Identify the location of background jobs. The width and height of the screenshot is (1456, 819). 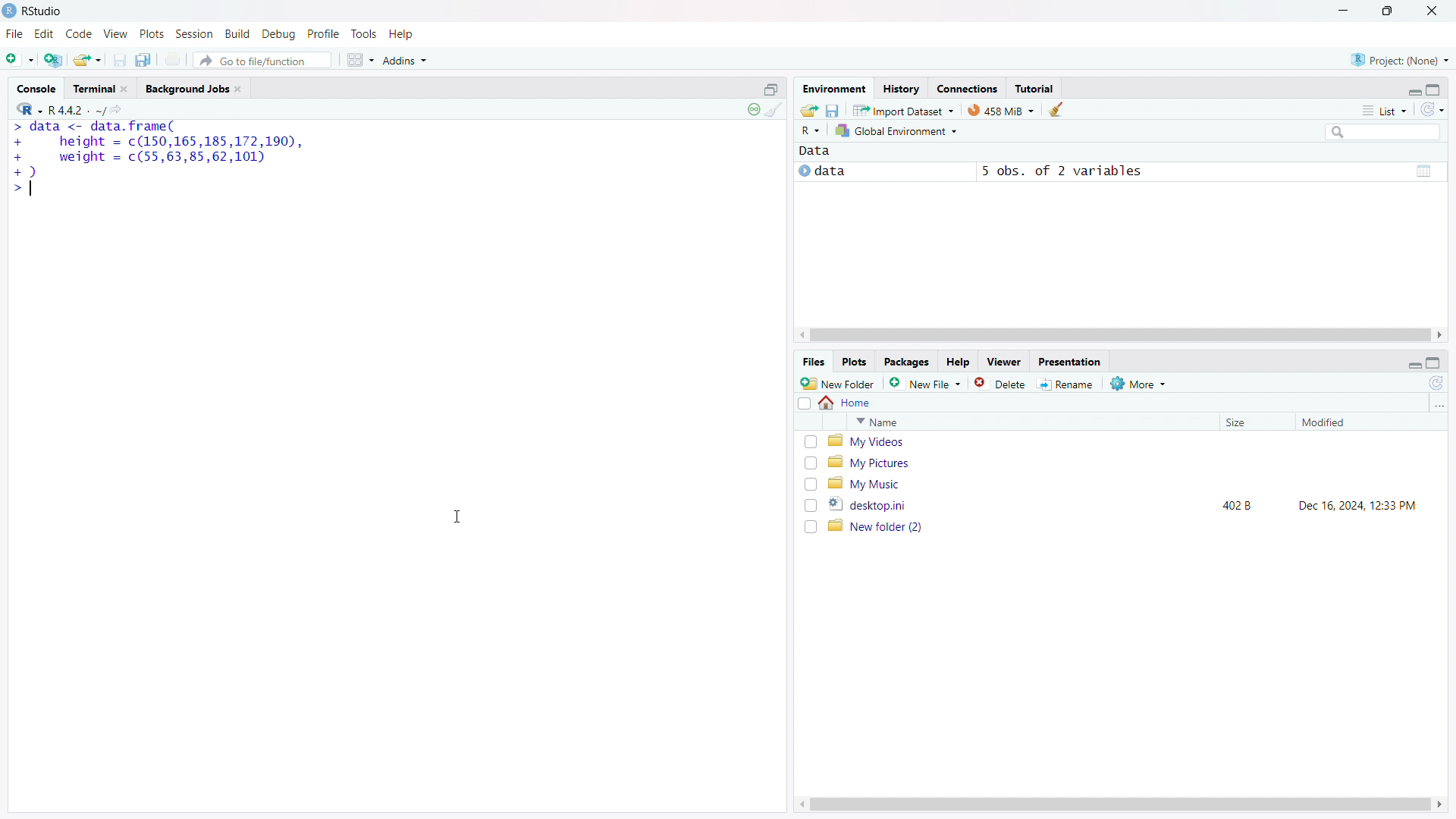
(186, 88).